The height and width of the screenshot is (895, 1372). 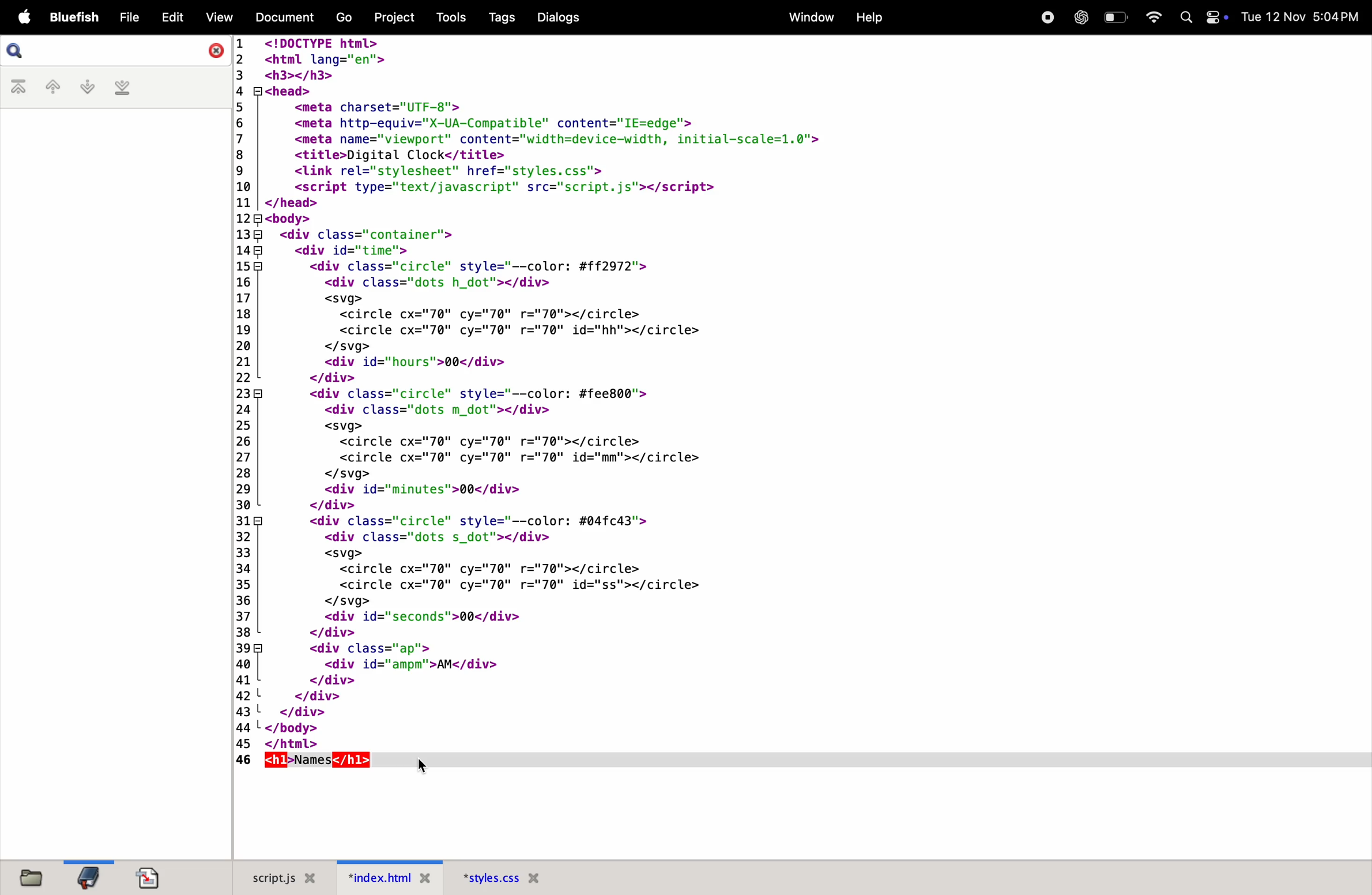 I want to click on file, so click(x=35, y=877).